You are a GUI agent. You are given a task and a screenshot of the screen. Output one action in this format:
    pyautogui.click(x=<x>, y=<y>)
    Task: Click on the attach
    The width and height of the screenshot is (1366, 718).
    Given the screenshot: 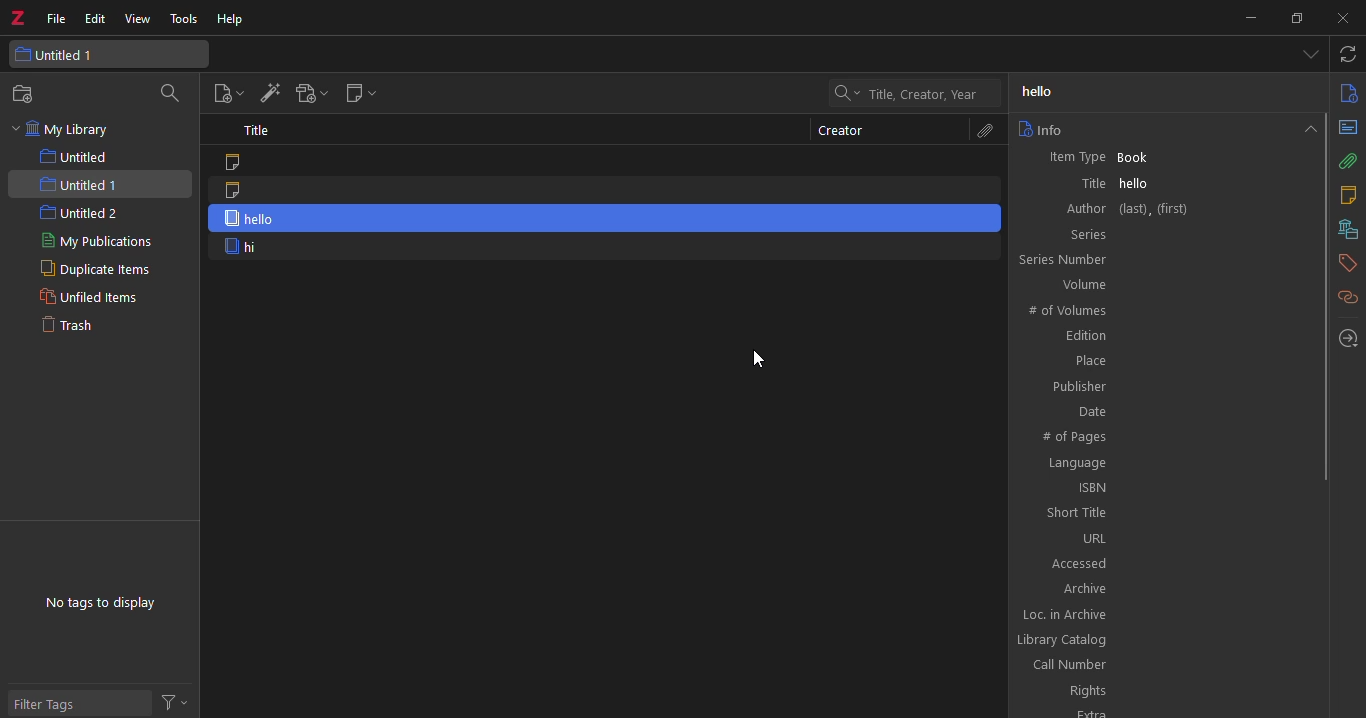 What is the action you would take?
    pyautogui.click(x=1349, y=161)
    